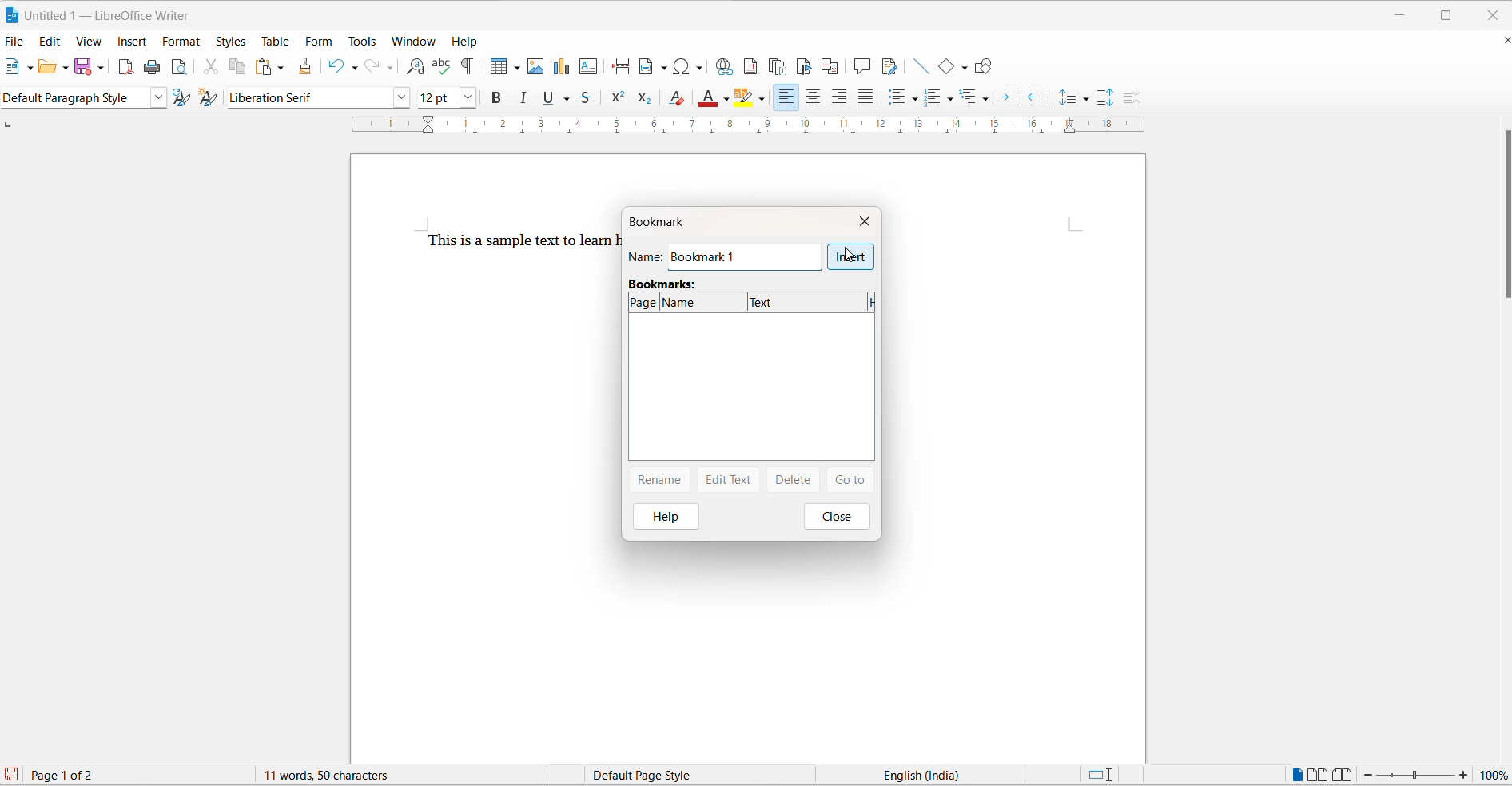 This screenshot has height=786, width=1512. Describe the element at coordinates (1502, 216) in the screenshot. I see `vertical scroll bar` at that location.